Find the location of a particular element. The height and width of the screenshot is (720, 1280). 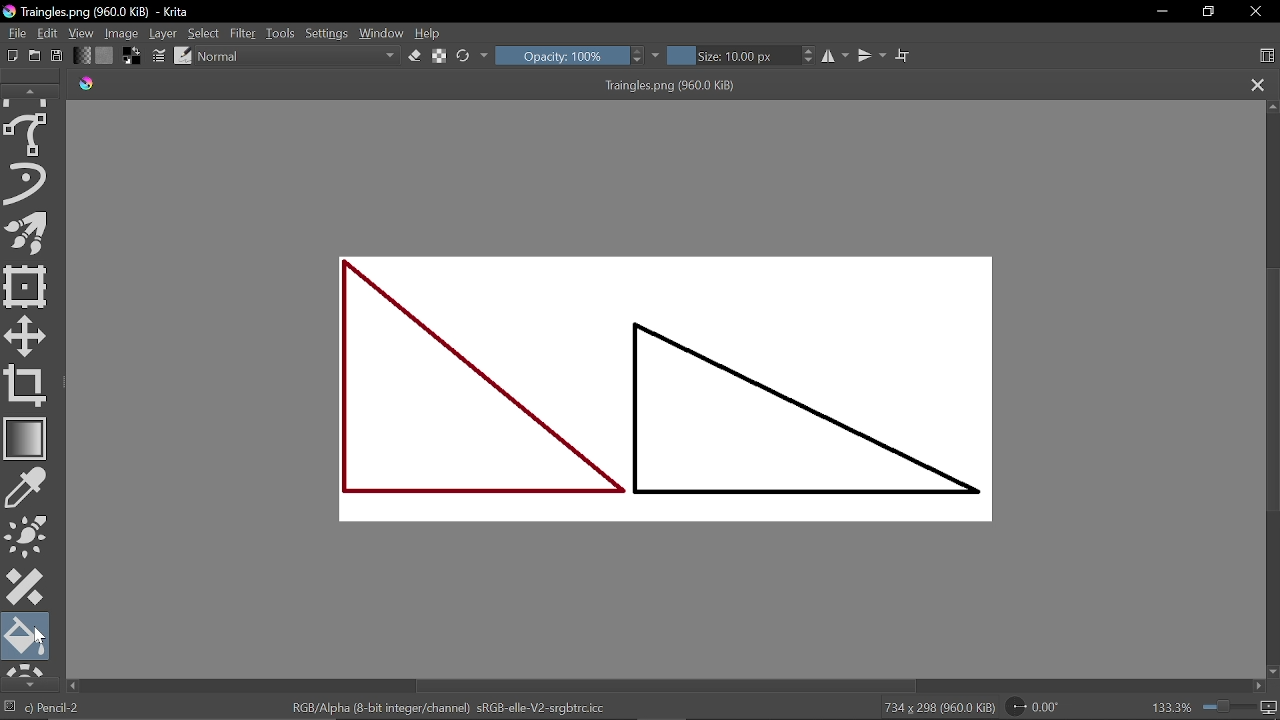

Image is located at coordinates (123, 35).